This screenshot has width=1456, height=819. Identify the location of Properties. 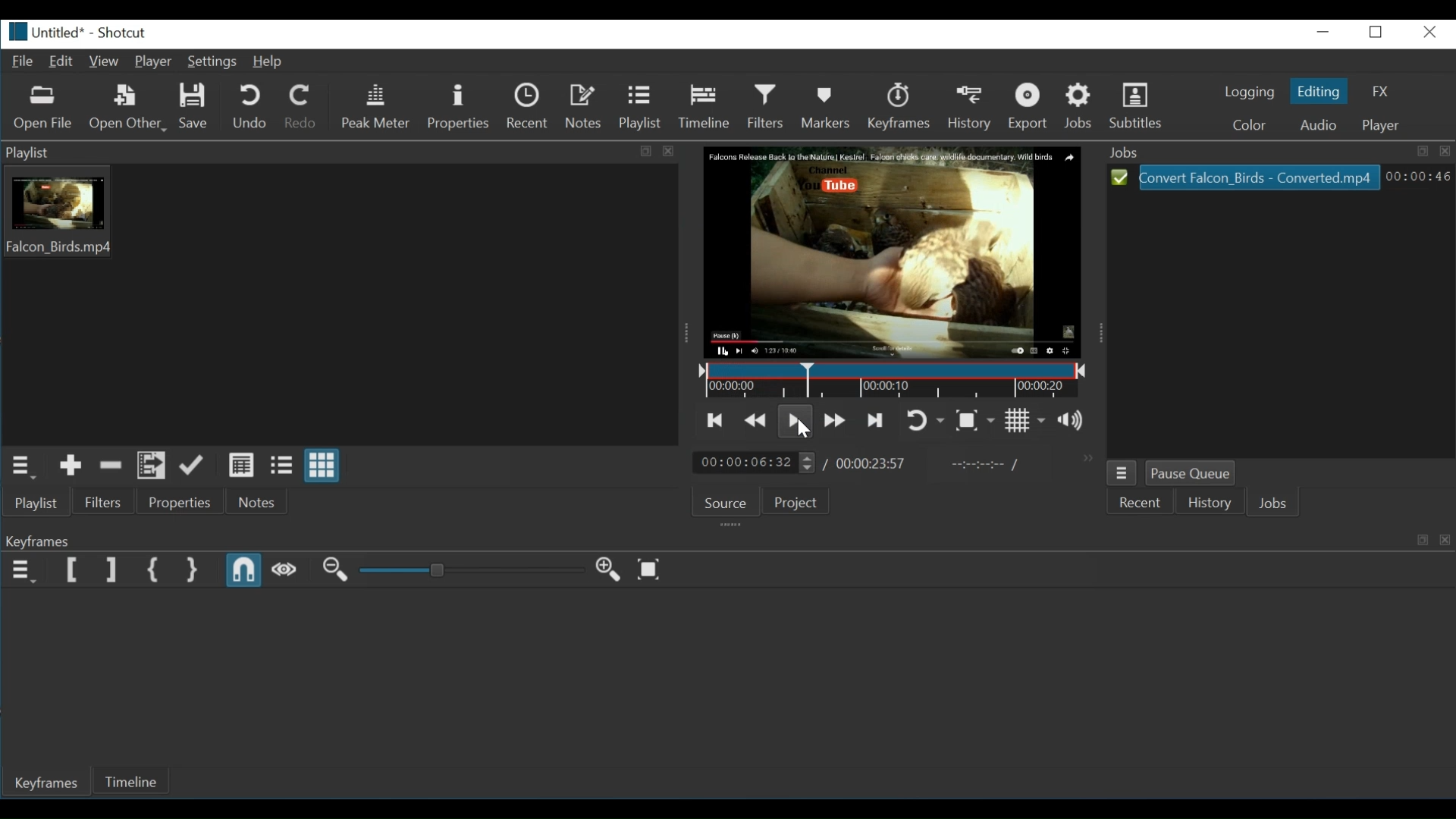
(184, 500).